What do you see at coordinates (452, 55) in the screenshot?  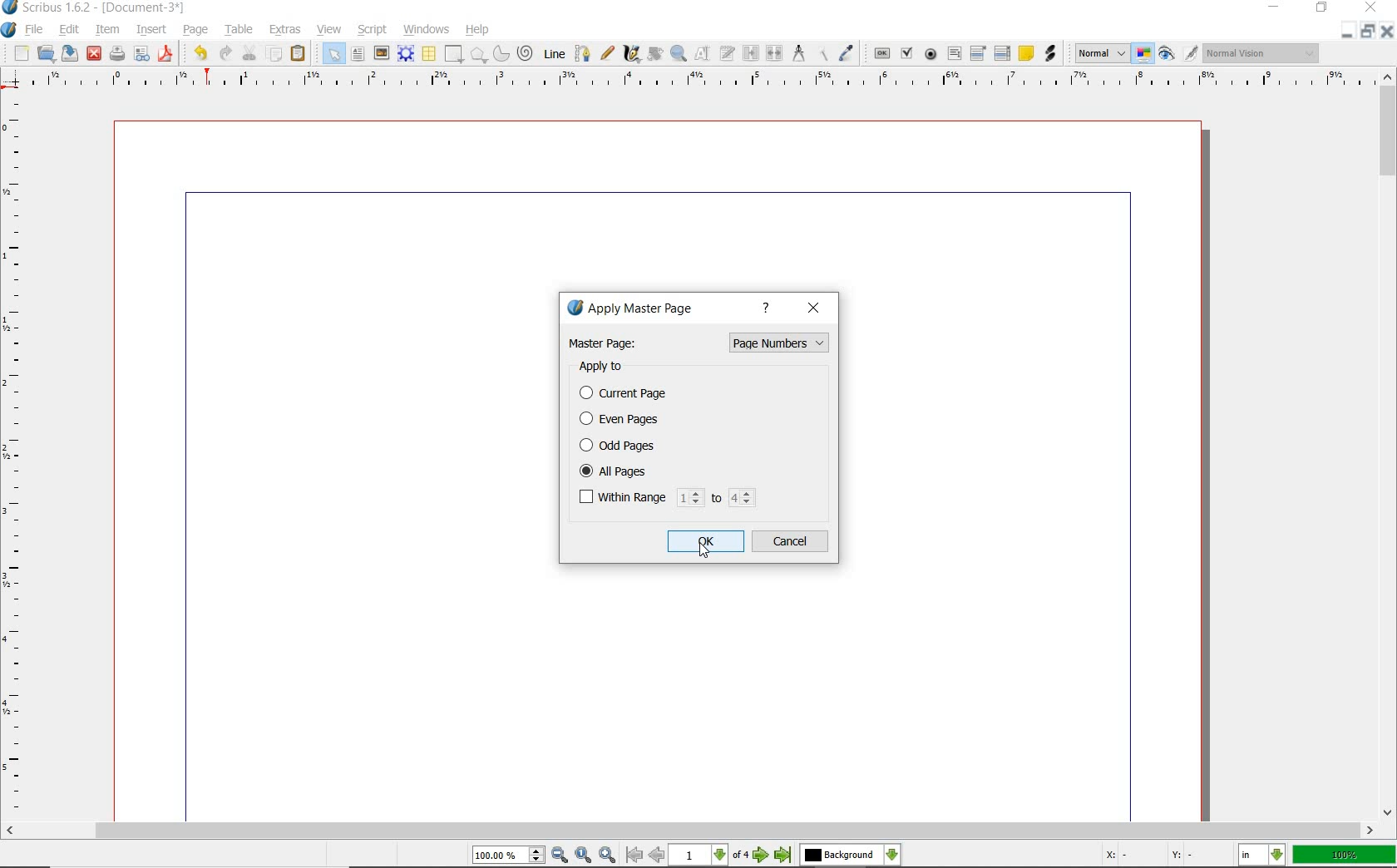 I see `shape` at bounding box center [452, 55].